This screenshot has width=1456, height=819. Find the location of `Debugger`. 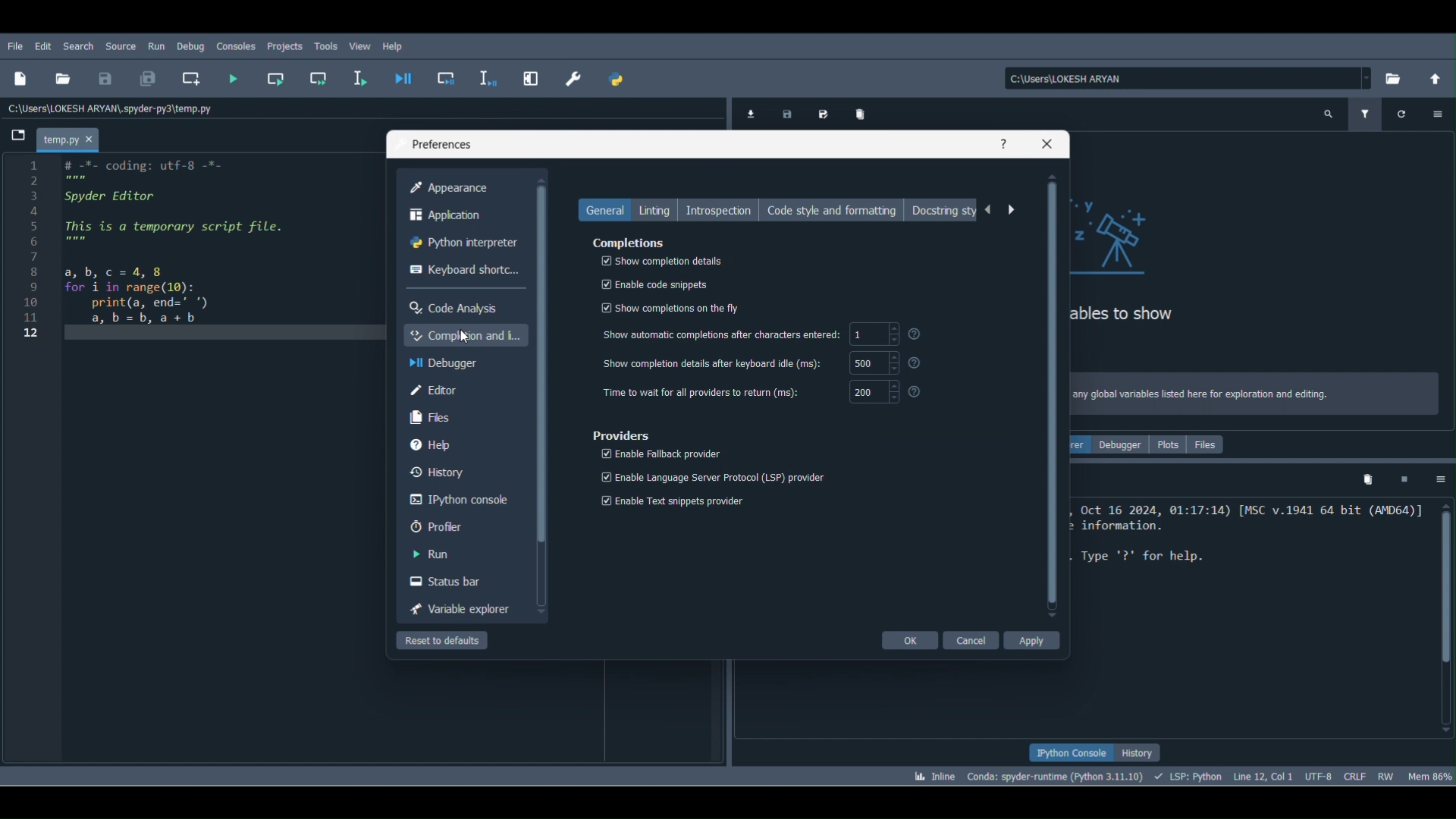

Debugger is located at coordinates (1124, 444).